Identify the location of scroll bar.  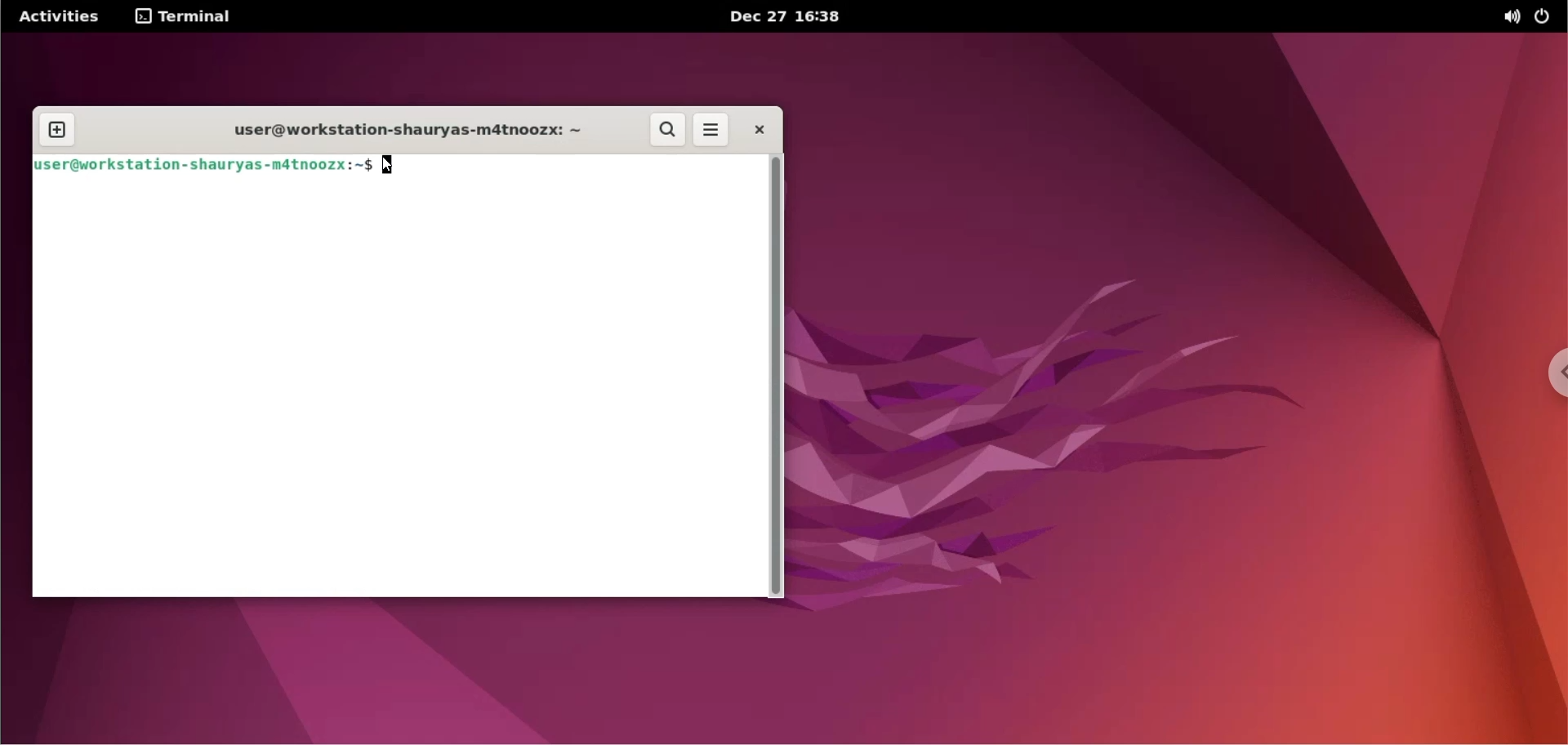
(778, 381).